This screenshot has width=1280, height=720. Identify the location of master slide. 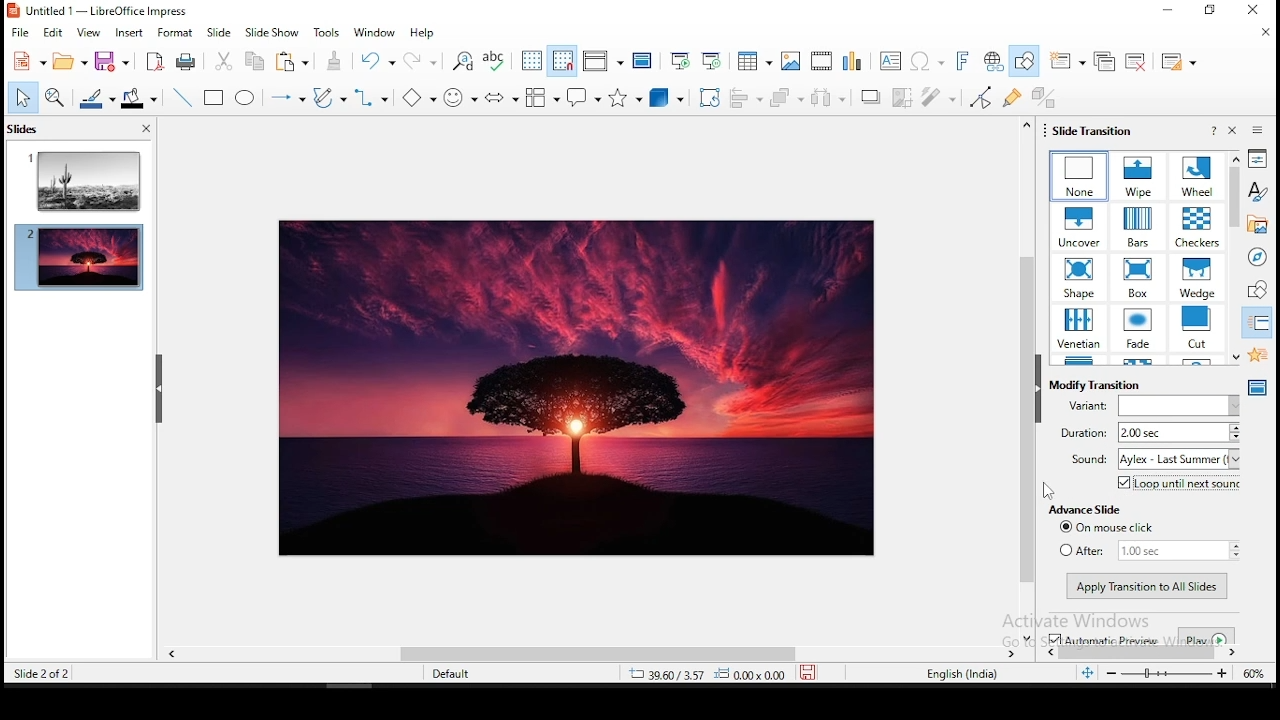
(643, 63).